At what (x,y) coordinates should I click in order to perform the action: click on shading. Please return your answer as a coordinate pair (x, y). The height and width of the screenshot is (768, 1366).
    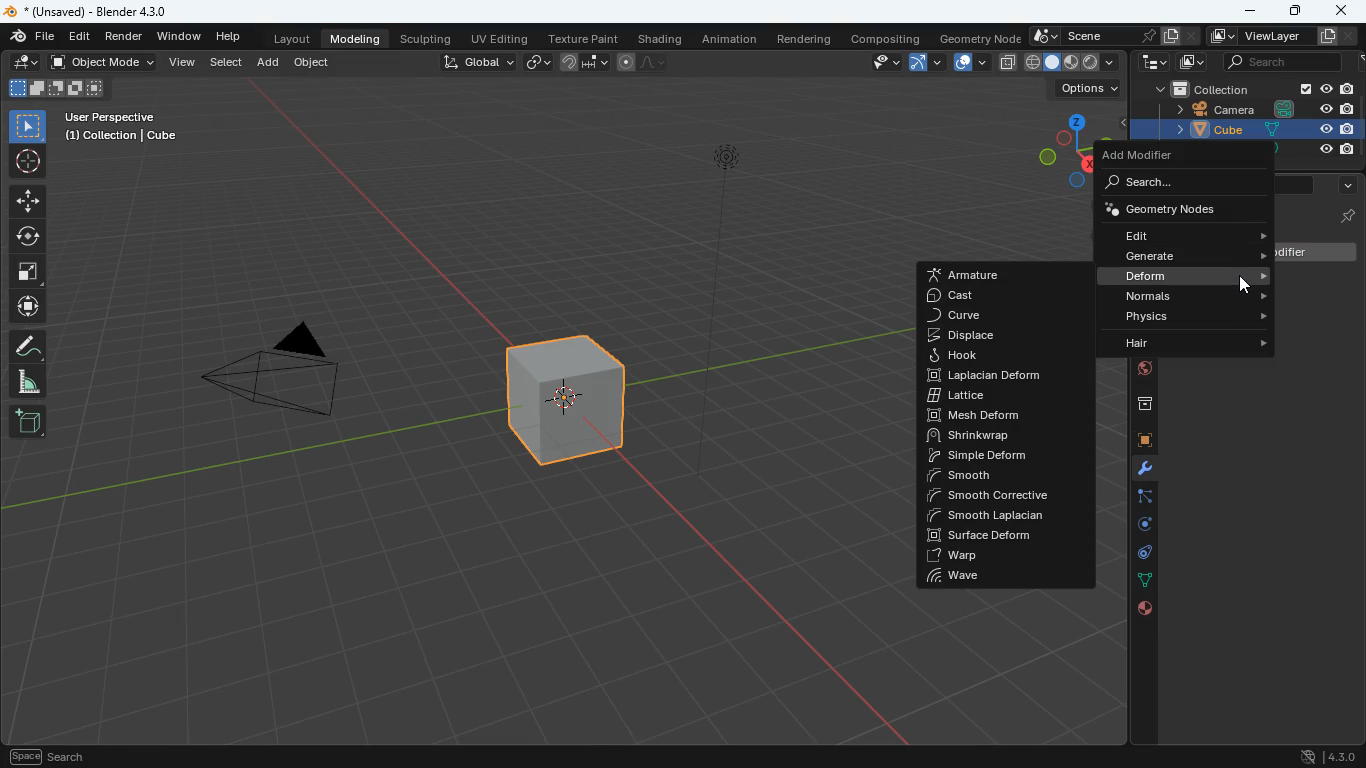
    Looking at the image, I should click on (663, 37).